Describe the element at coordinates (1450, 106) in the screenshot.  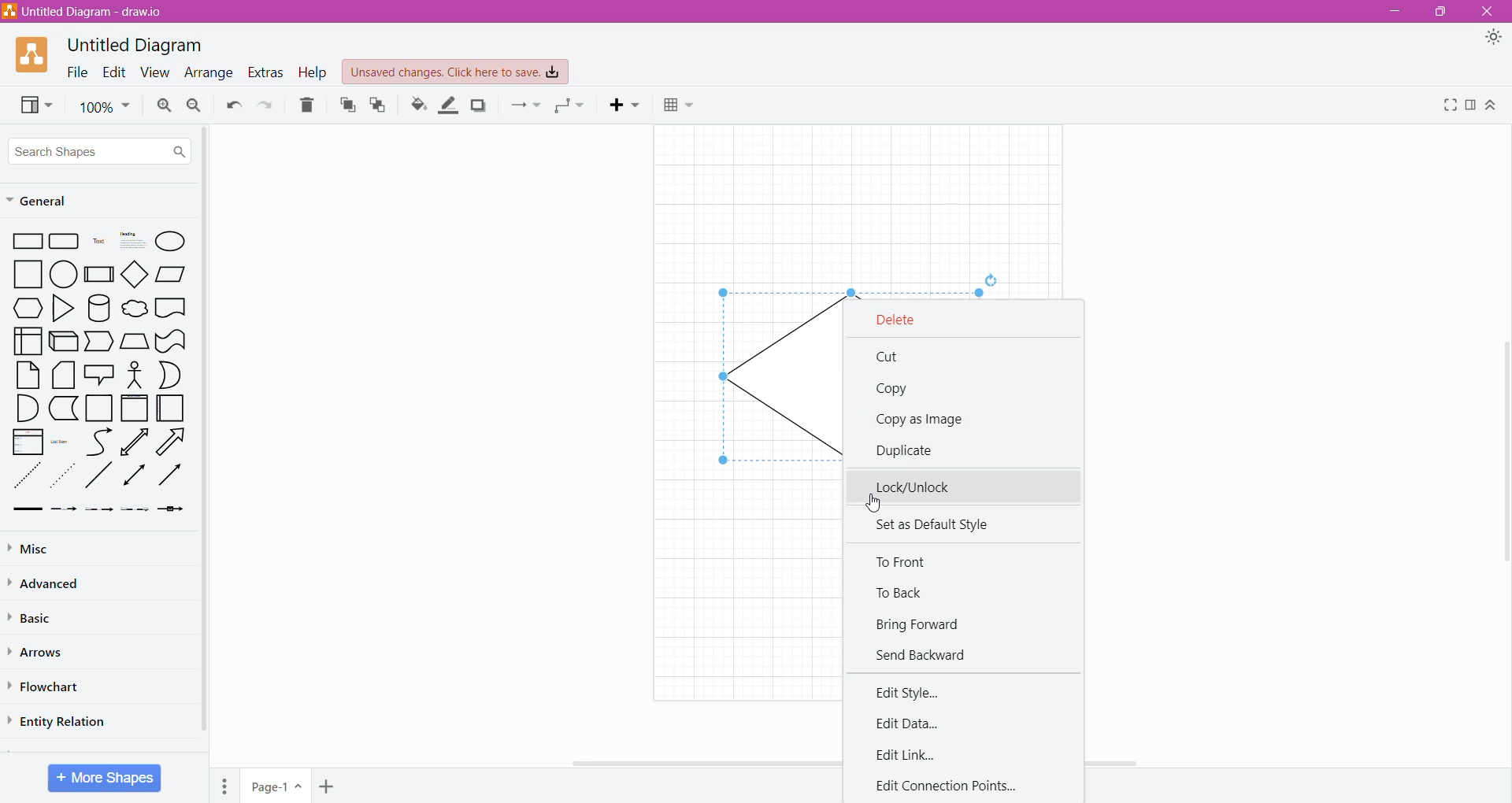
I see `Fullscreen` at that location.